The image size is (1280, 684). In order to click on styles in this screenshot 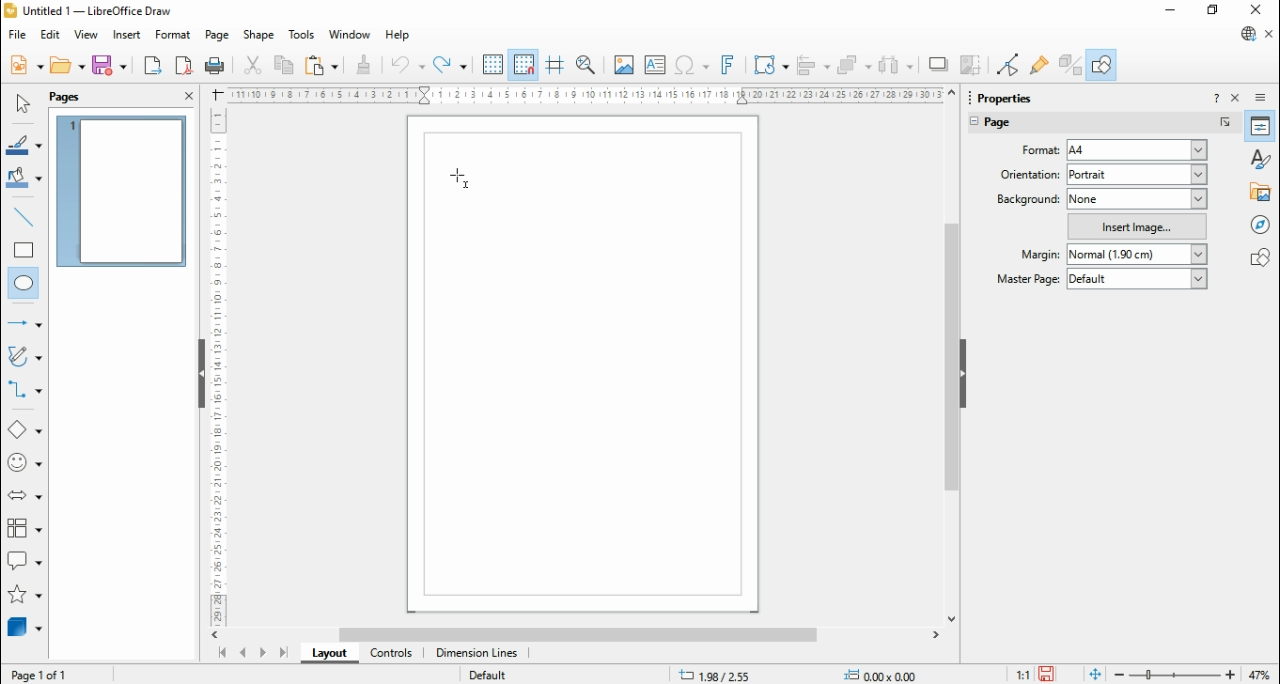, I will do `click(1262, 157)`.